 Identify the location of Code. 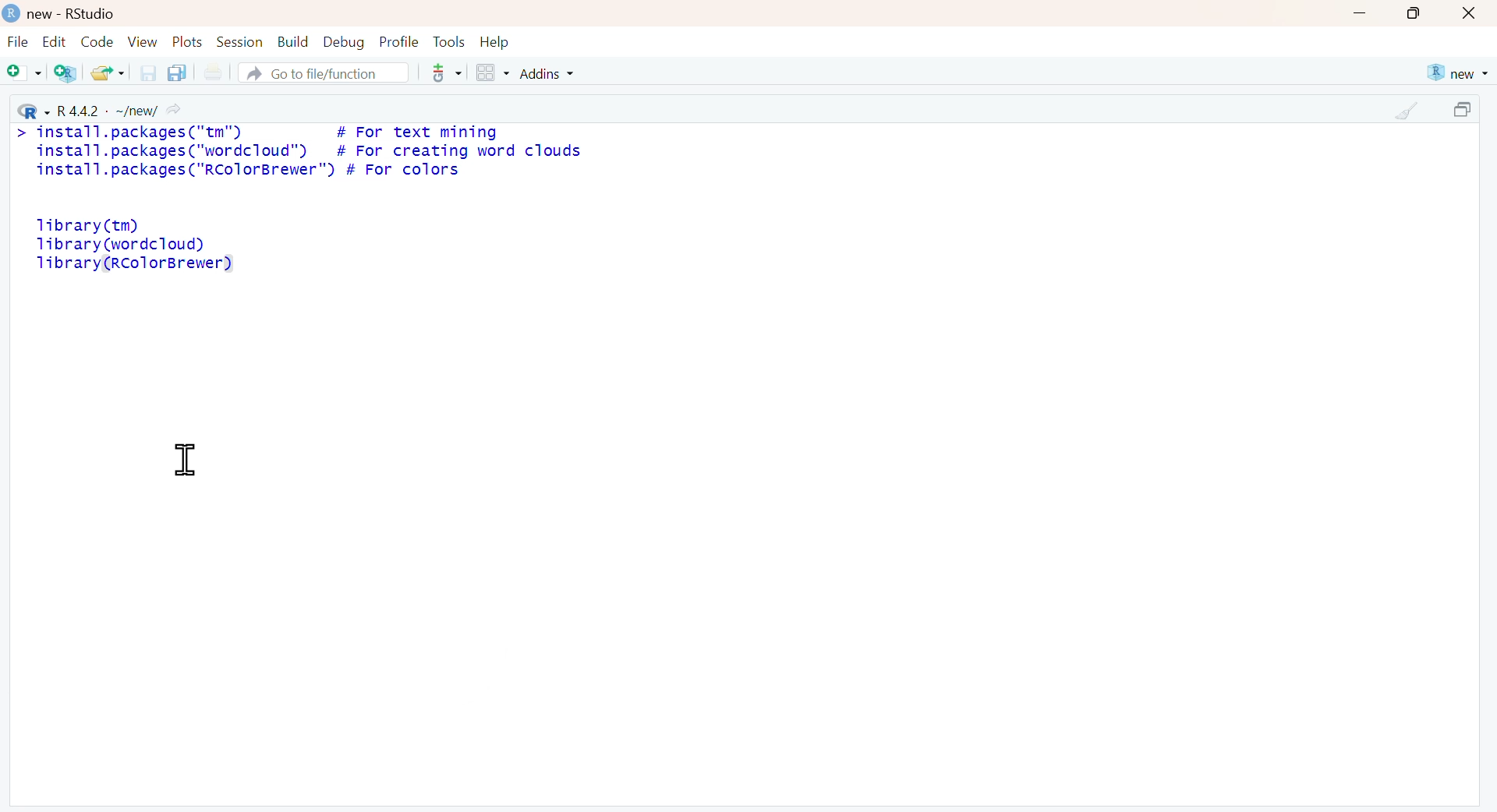
(97, 41).